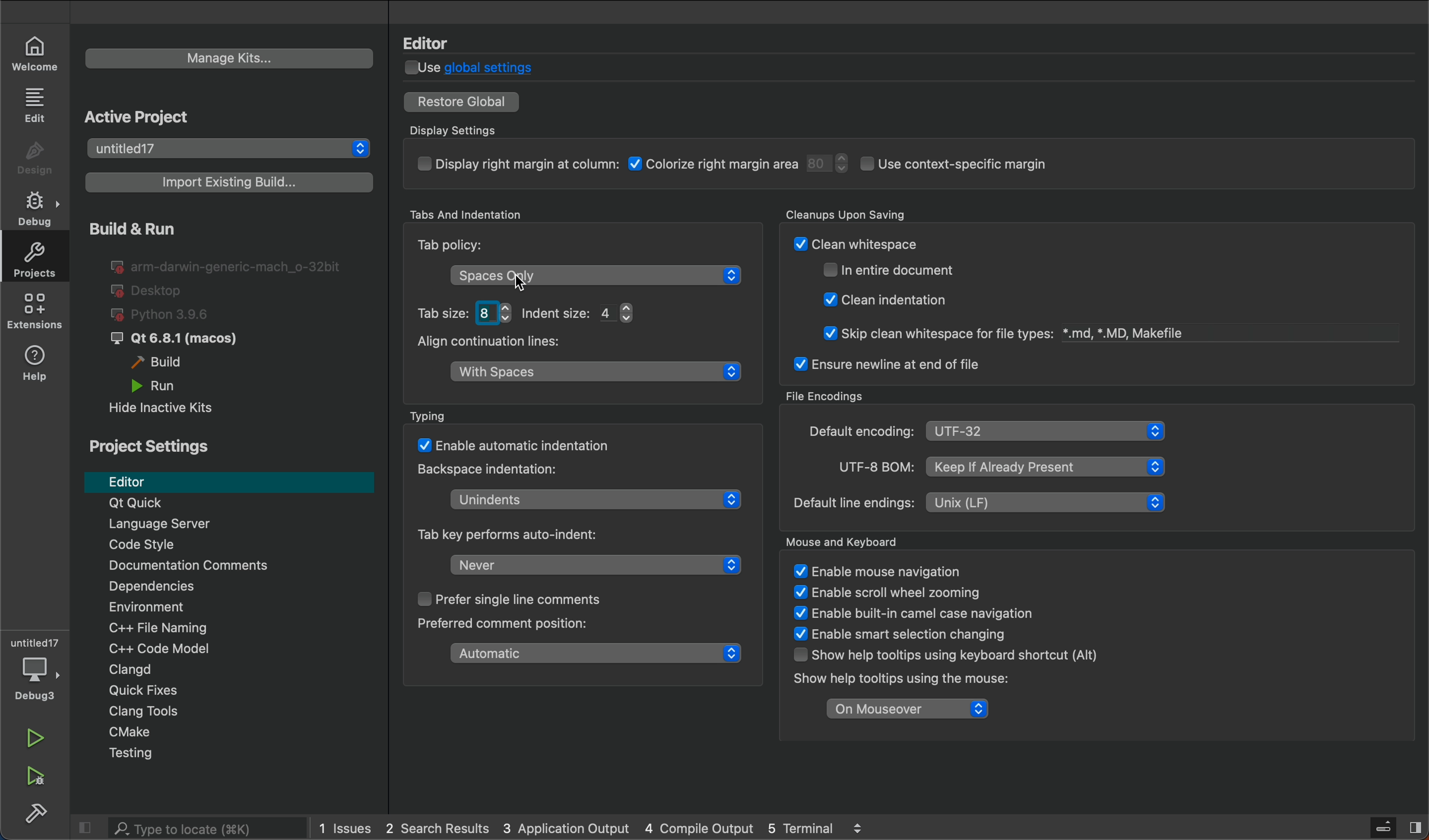 The width and height of the screenshot is (1429, 840). What do you see at coordinates (150, 289) in the screenshot?
I see `desktop` at bounding box center [150, 289].